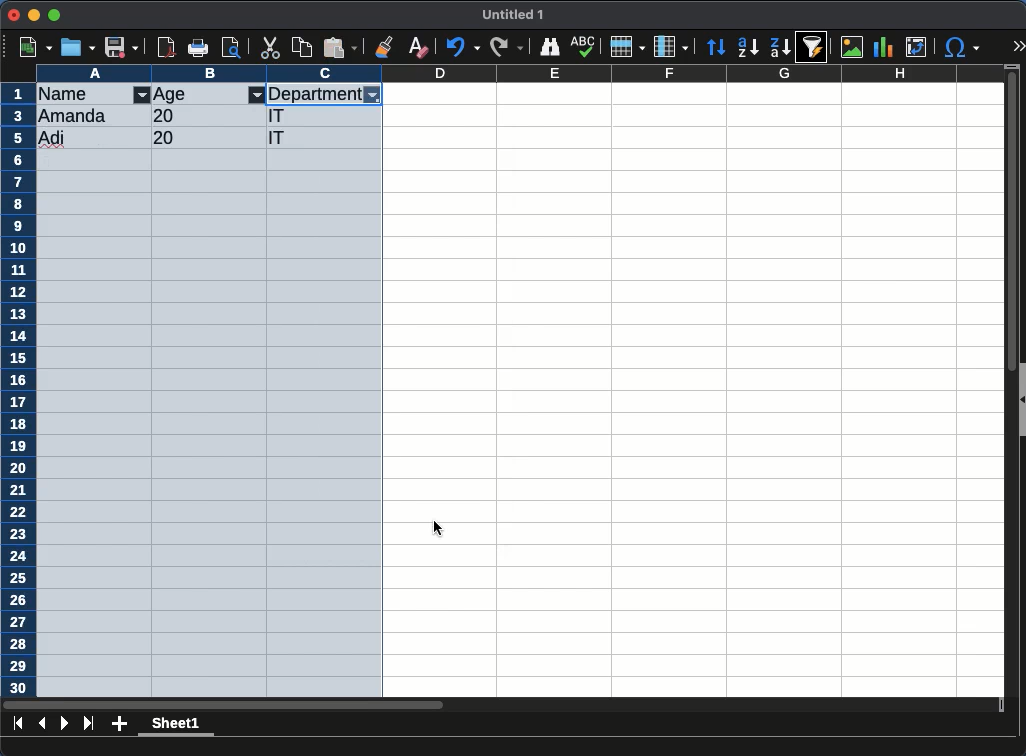 This screenshot has width=1026, height=756. I want to click on name, so click(73, 93).